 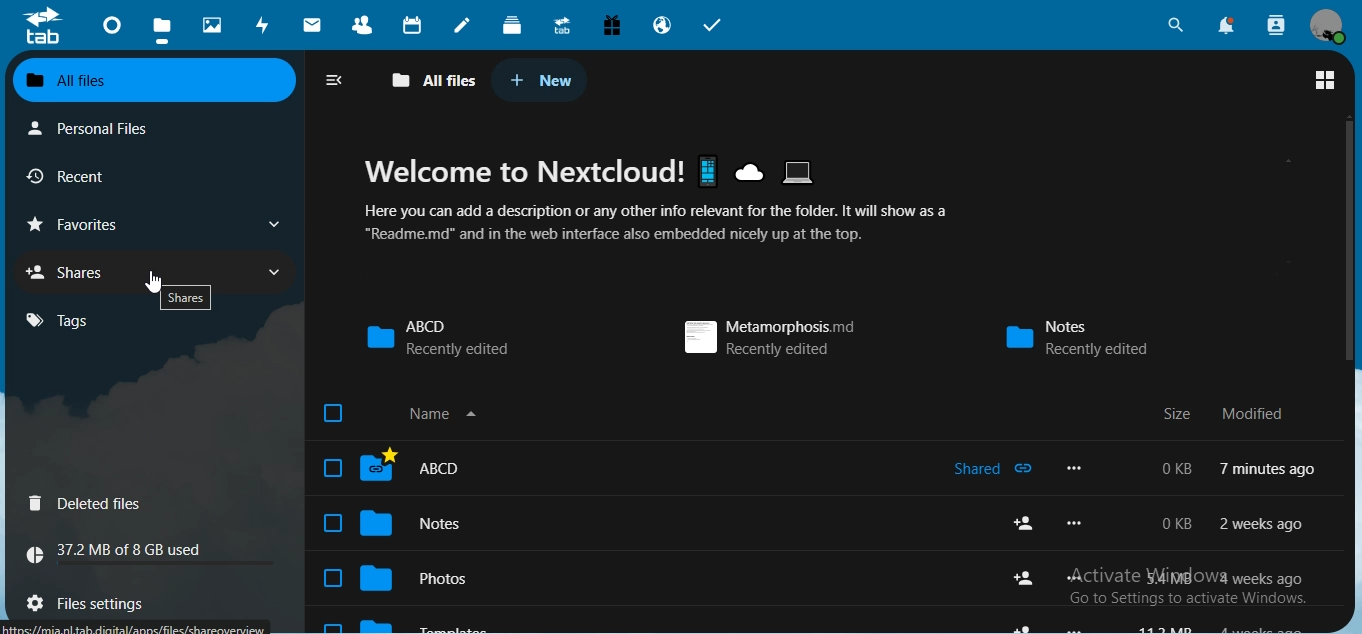 I want to click on show, so click(x=276, y=275).